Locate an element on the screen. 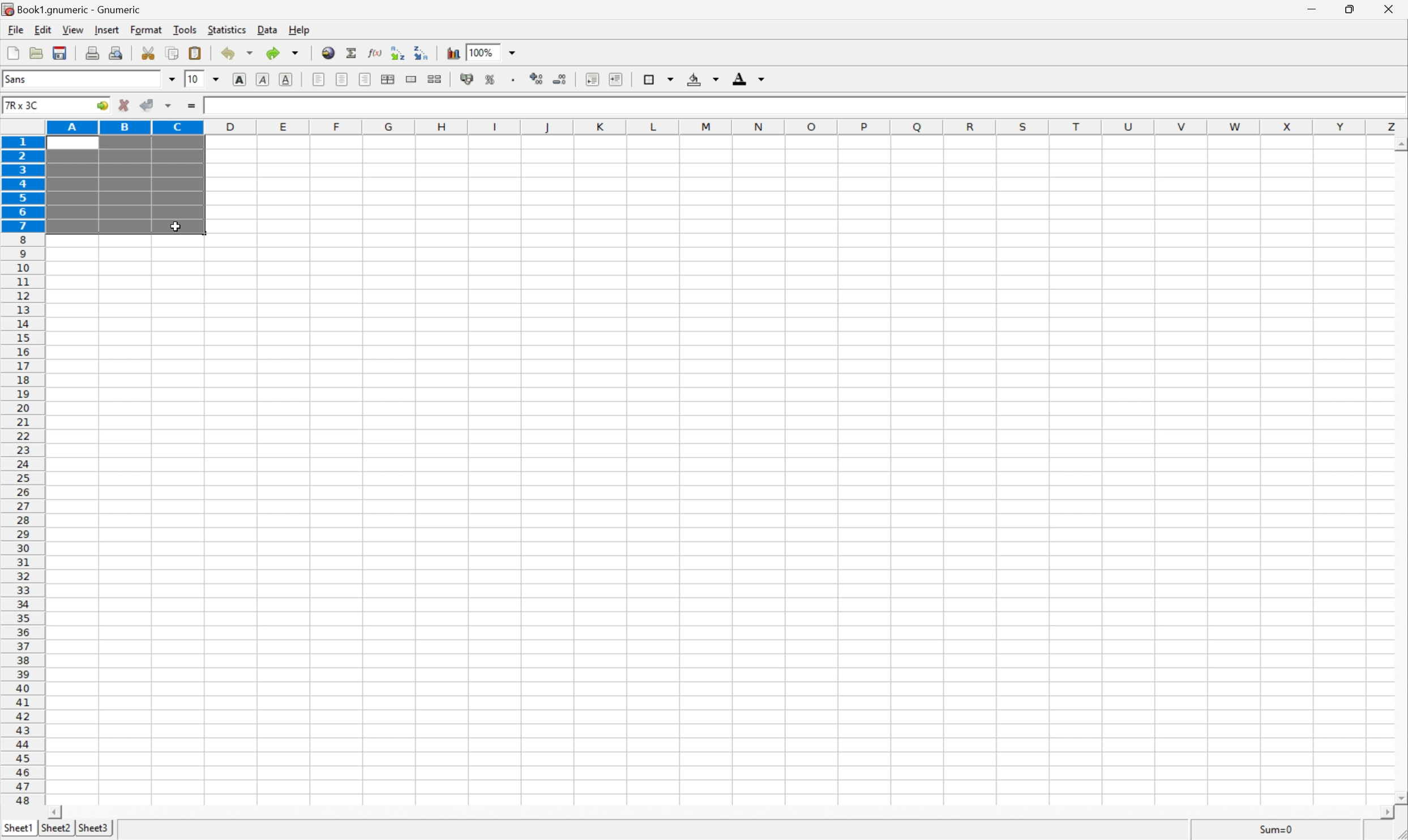 This screenshot has width=1408, height=840. sheet1 is located at coordinates (18, 830).